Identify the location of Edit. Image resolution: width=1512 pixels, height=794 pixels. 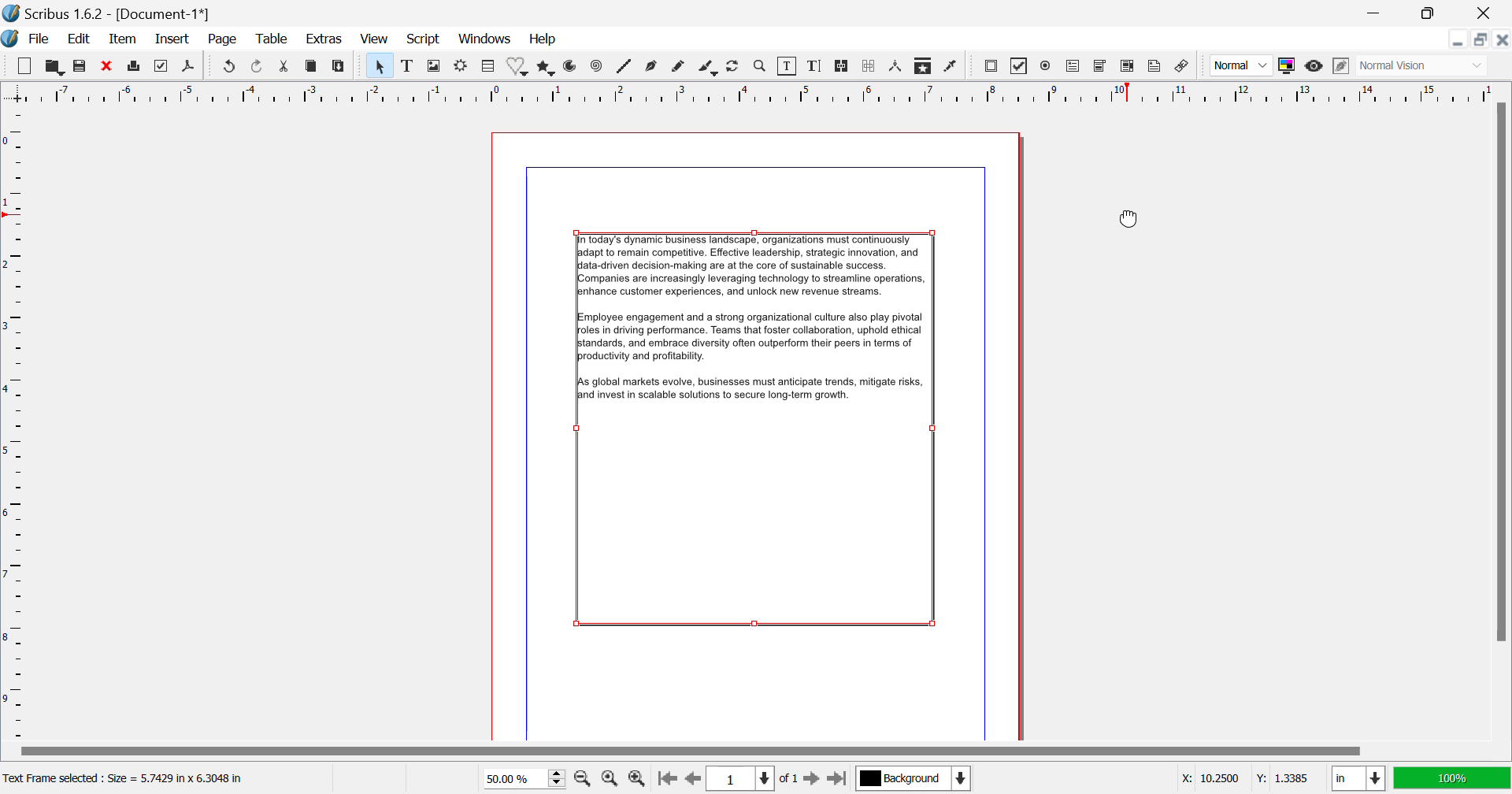
(79, 41).